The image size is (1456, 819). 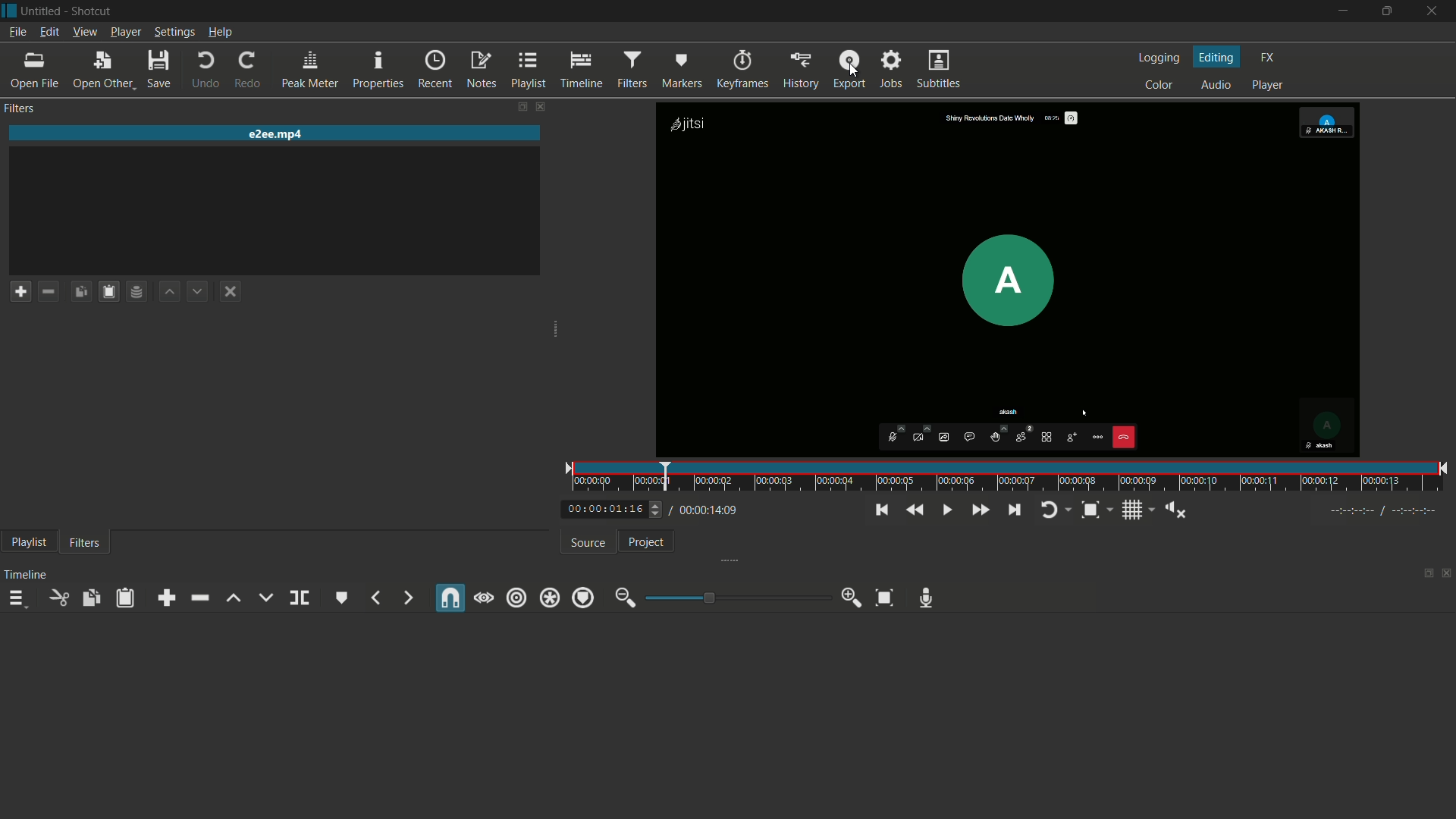 I want to click on edit menu, so click(x=46, y=31).